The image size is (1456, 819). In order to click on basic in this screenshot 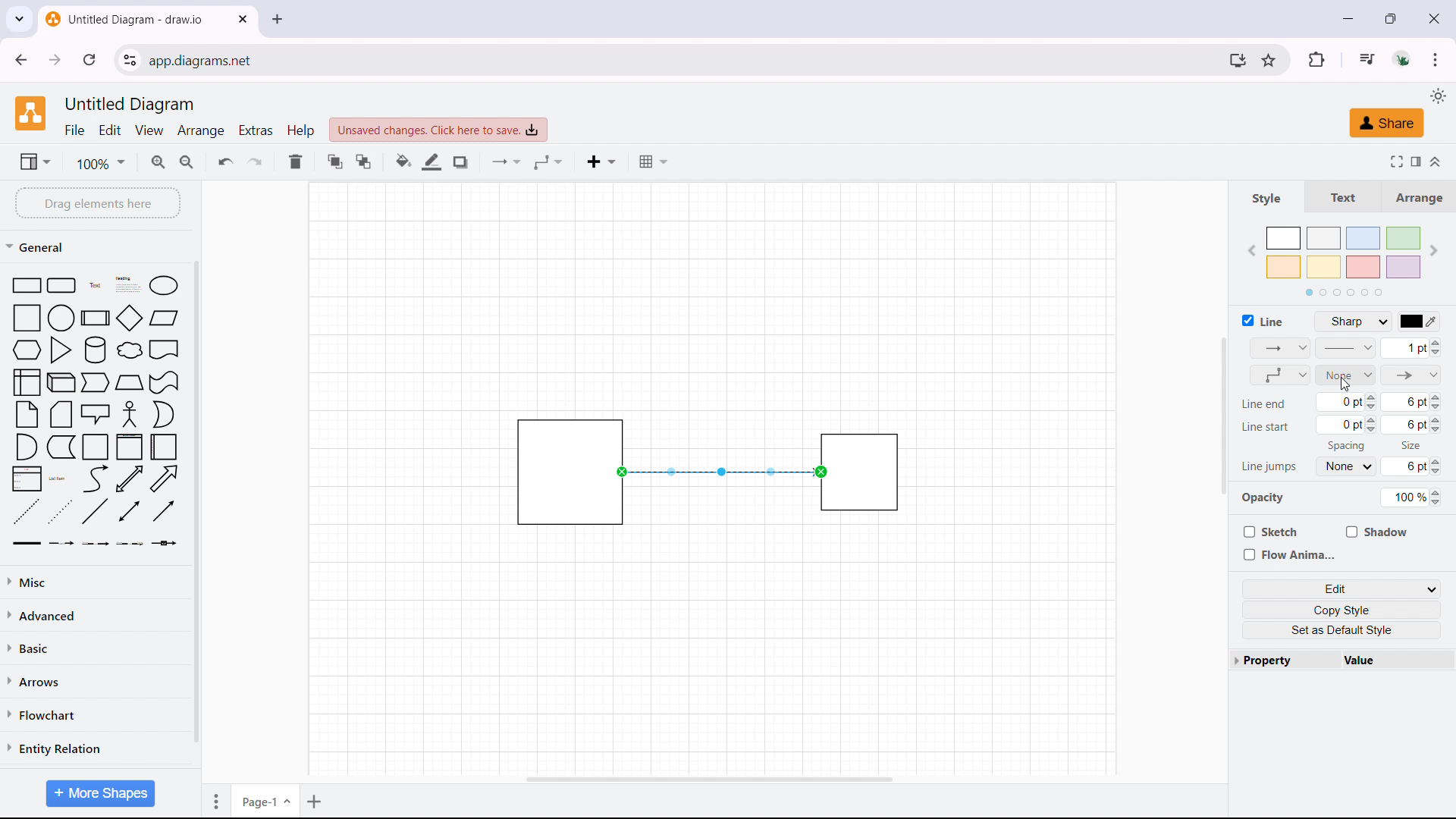, I will do `click(98, 645)`.